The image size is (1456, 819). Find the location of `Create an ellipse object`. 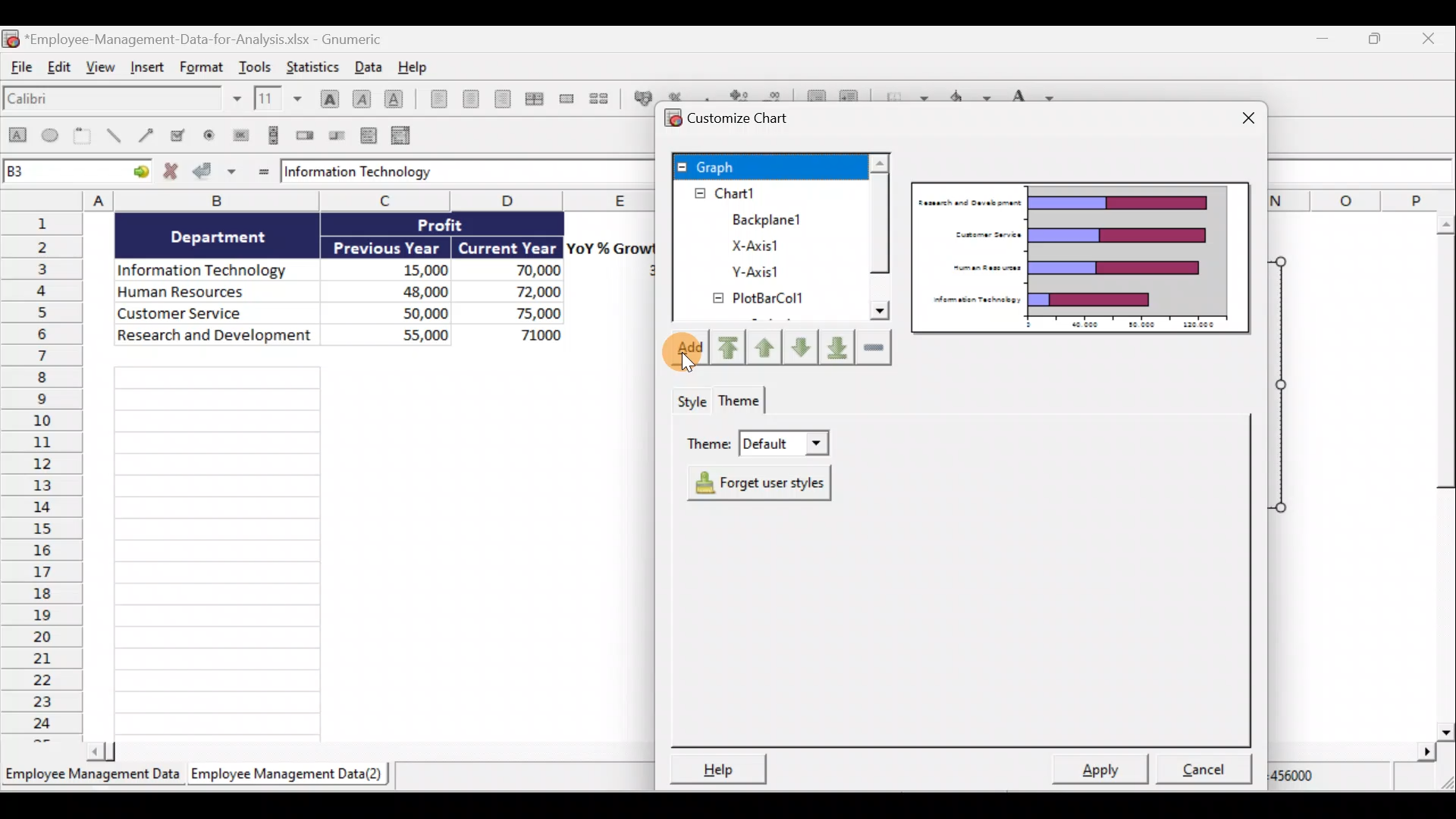

Create an ellipse object is located at coordinates (52, 137).